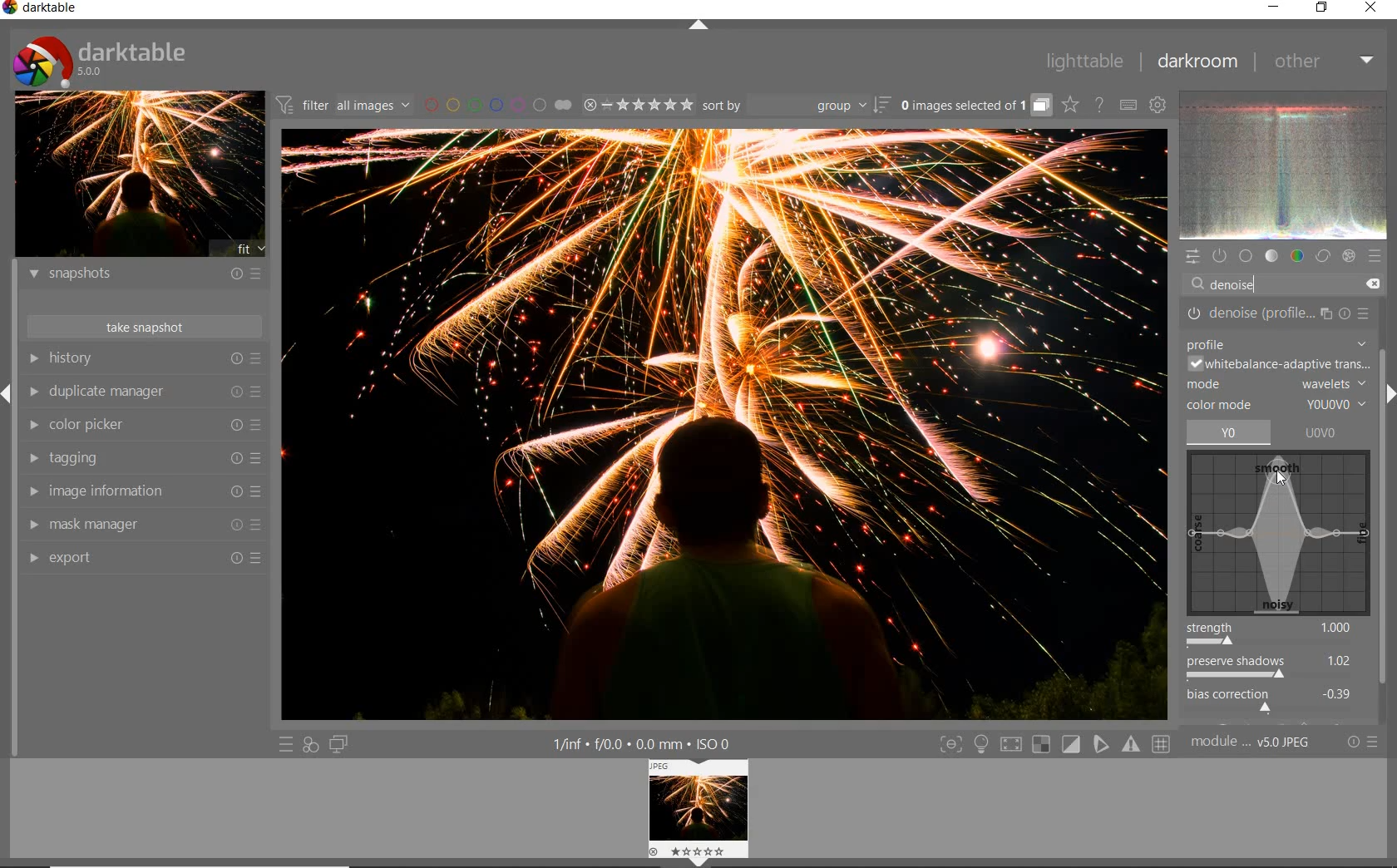 The height and width of the screenshot is (868, 1397). I want to click on show only active modules, so click(1221, 255).